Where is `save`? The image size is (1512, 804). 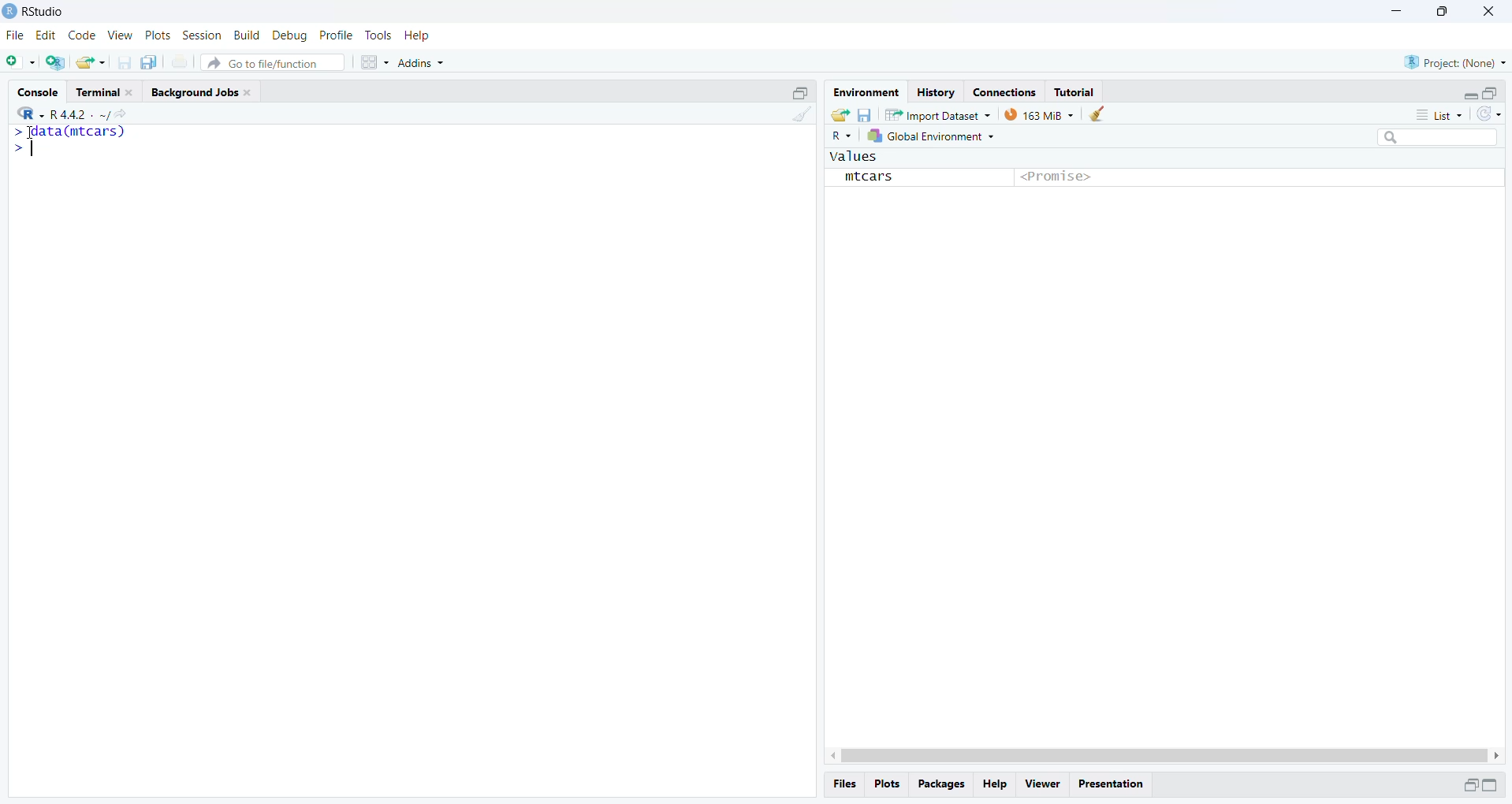
save is located at coordinates (124, 62).